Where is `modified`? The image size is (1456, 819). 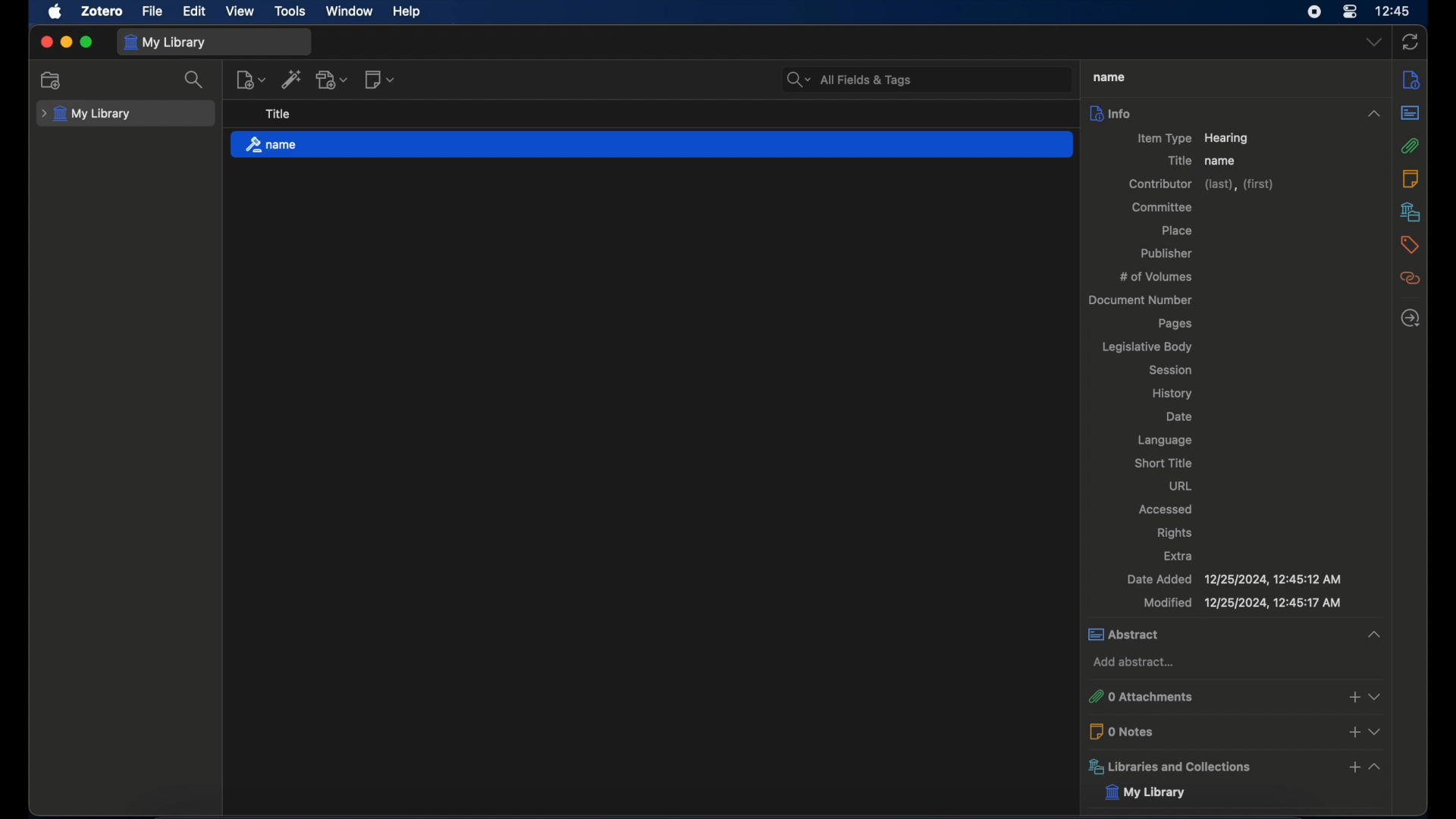 modified is located at coordinates (1243, 604).